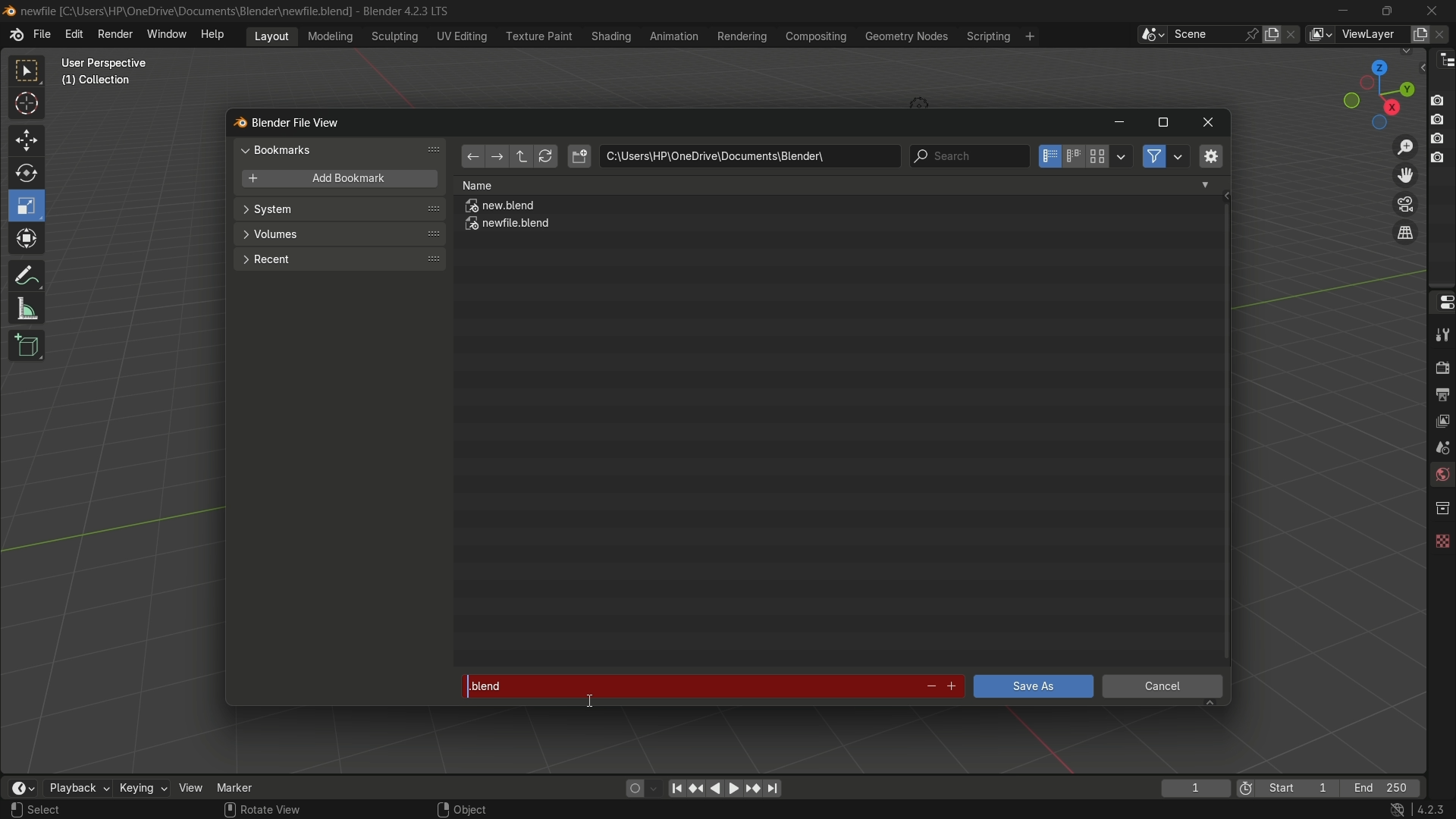 The height and width of the screenshot is (819, 1456). I want to click on Rotate View, so click(262, 810).